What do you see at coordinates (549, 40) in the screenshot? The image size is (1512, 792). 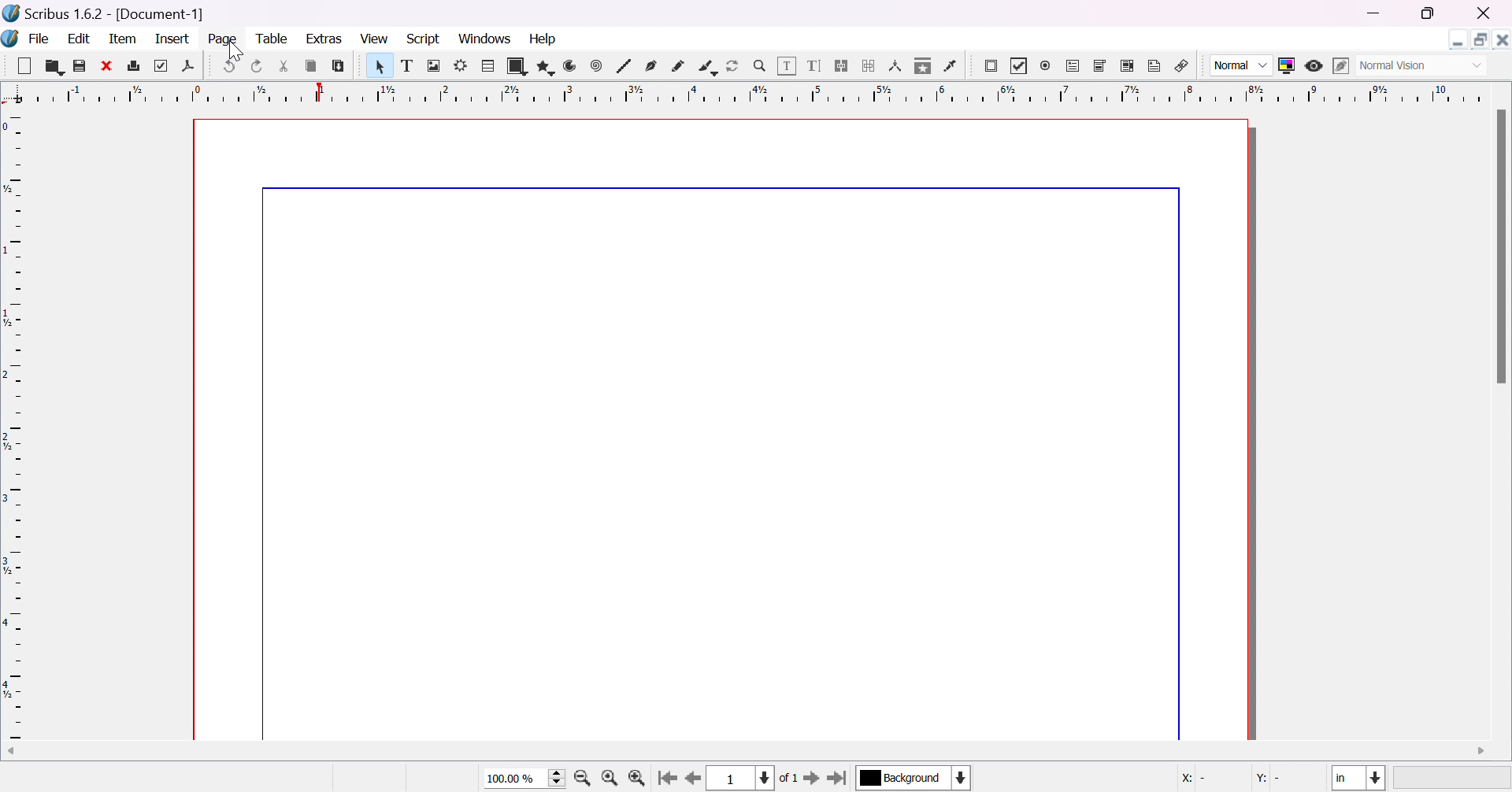 I see `help` at bounding box center [549, 40].